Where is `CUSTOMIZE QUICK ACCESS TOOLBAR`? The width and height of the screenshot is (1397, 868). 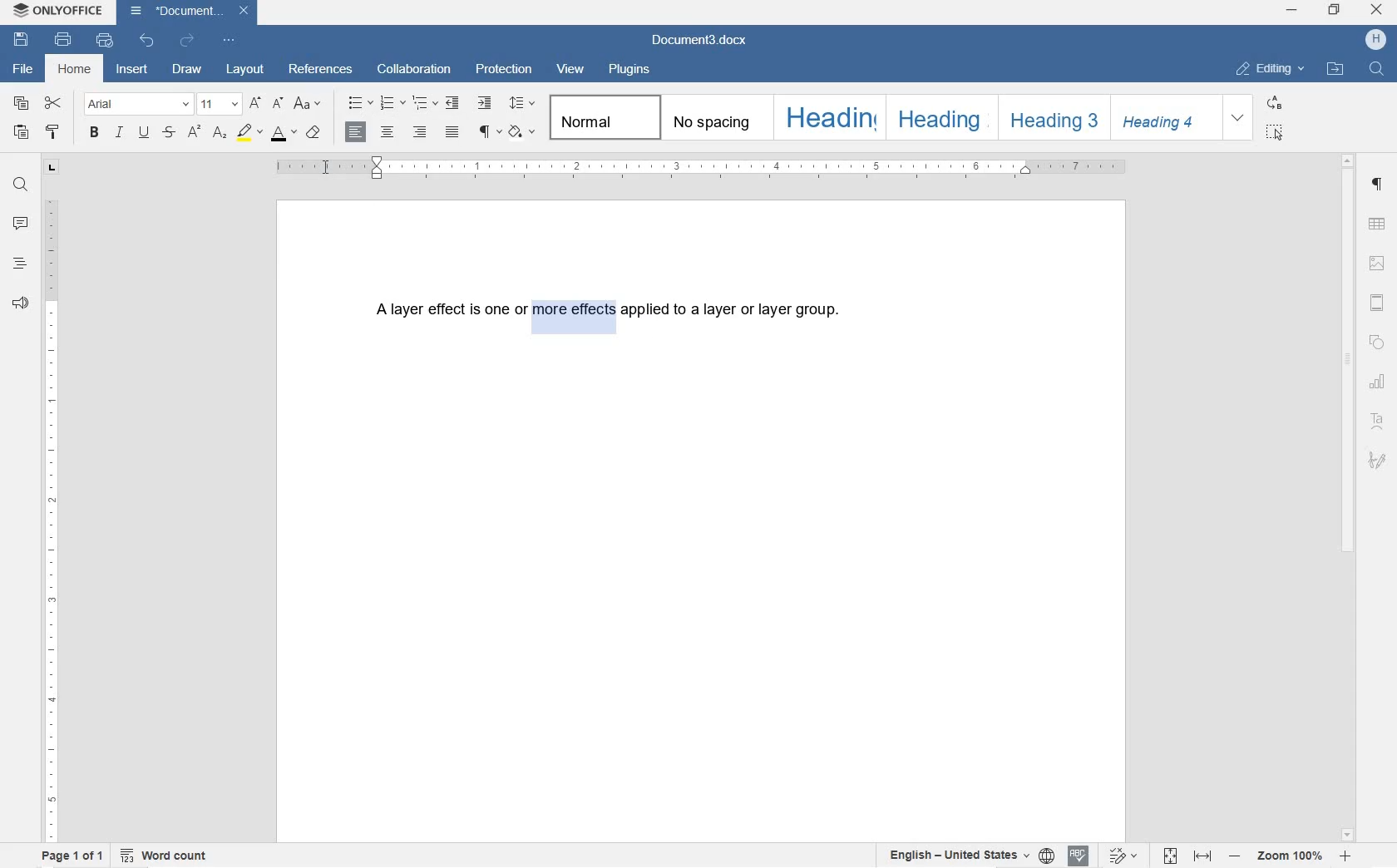 CUSTOMIZE QUICK ACCESS TOOLBAR is located at coordinates (230, 42).